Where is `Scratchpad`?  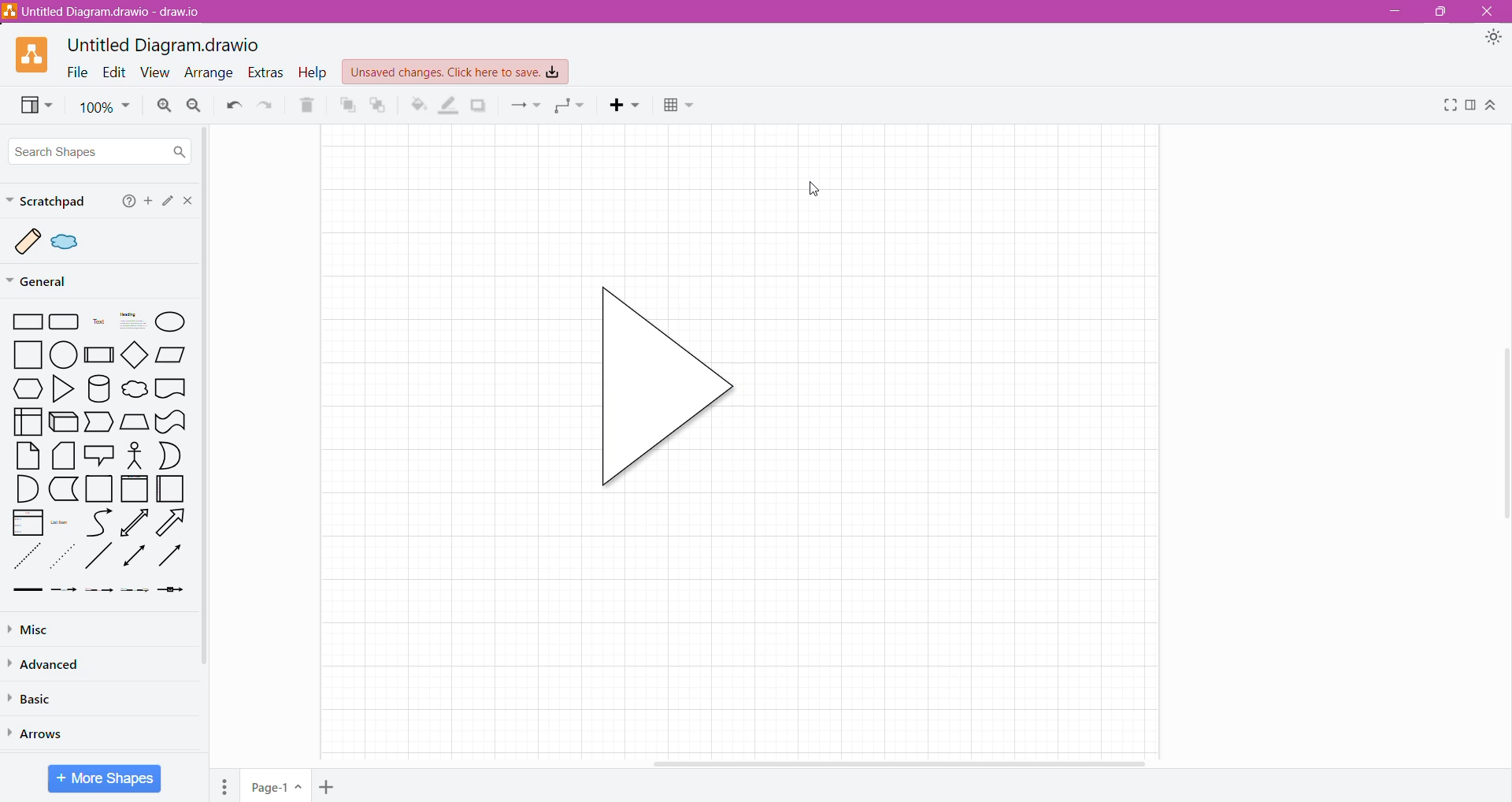
Scratchpad is located at coordinates (47, 200).